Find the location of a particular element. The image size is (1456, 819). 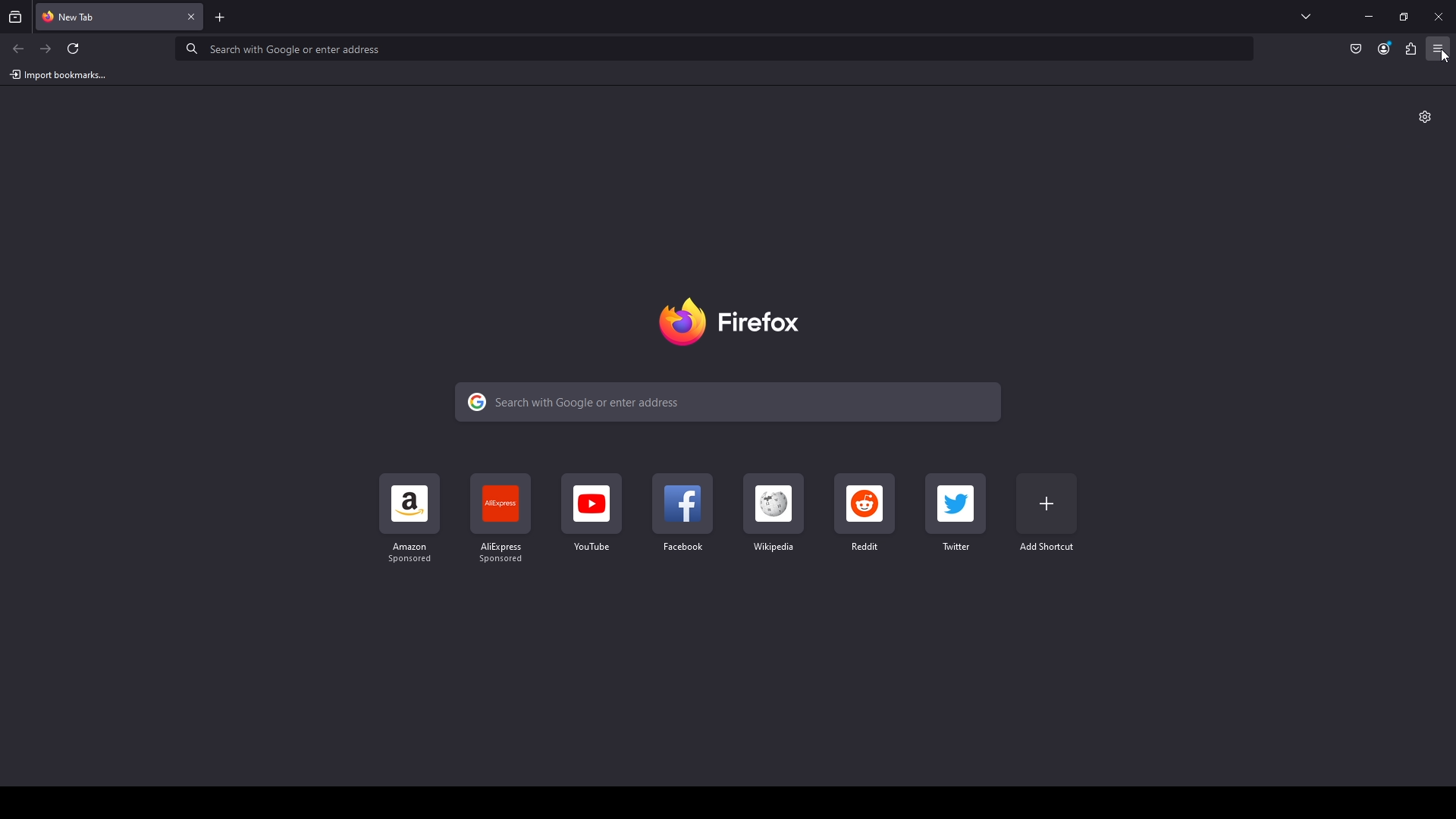

open application menu is located at coordinates (1442, 55).